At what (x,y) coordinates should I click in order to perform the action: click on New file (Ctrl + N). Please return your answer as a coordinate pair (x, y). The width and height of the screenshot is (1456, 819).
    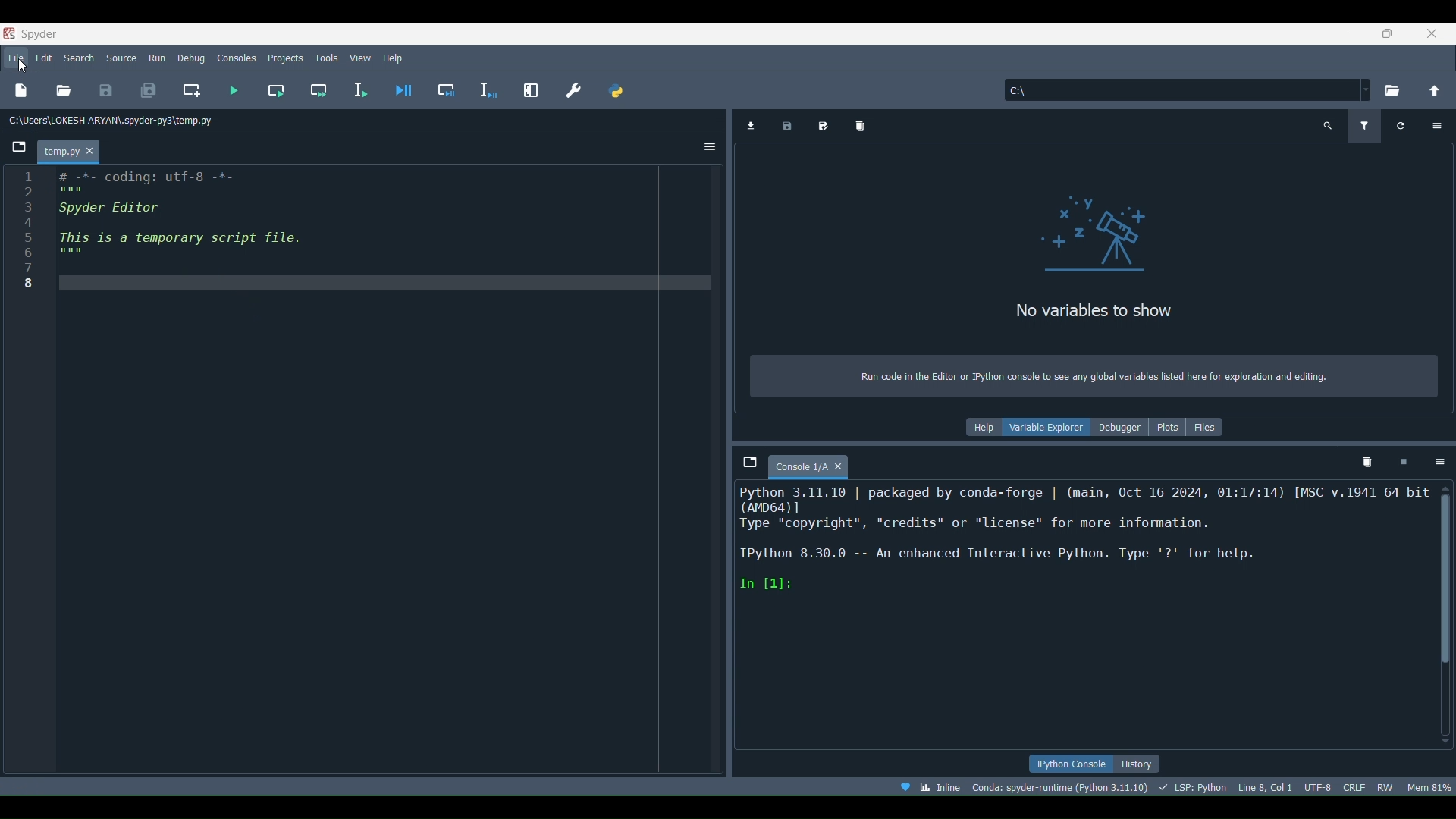
    Looking at the image, I should click on (21, 91).